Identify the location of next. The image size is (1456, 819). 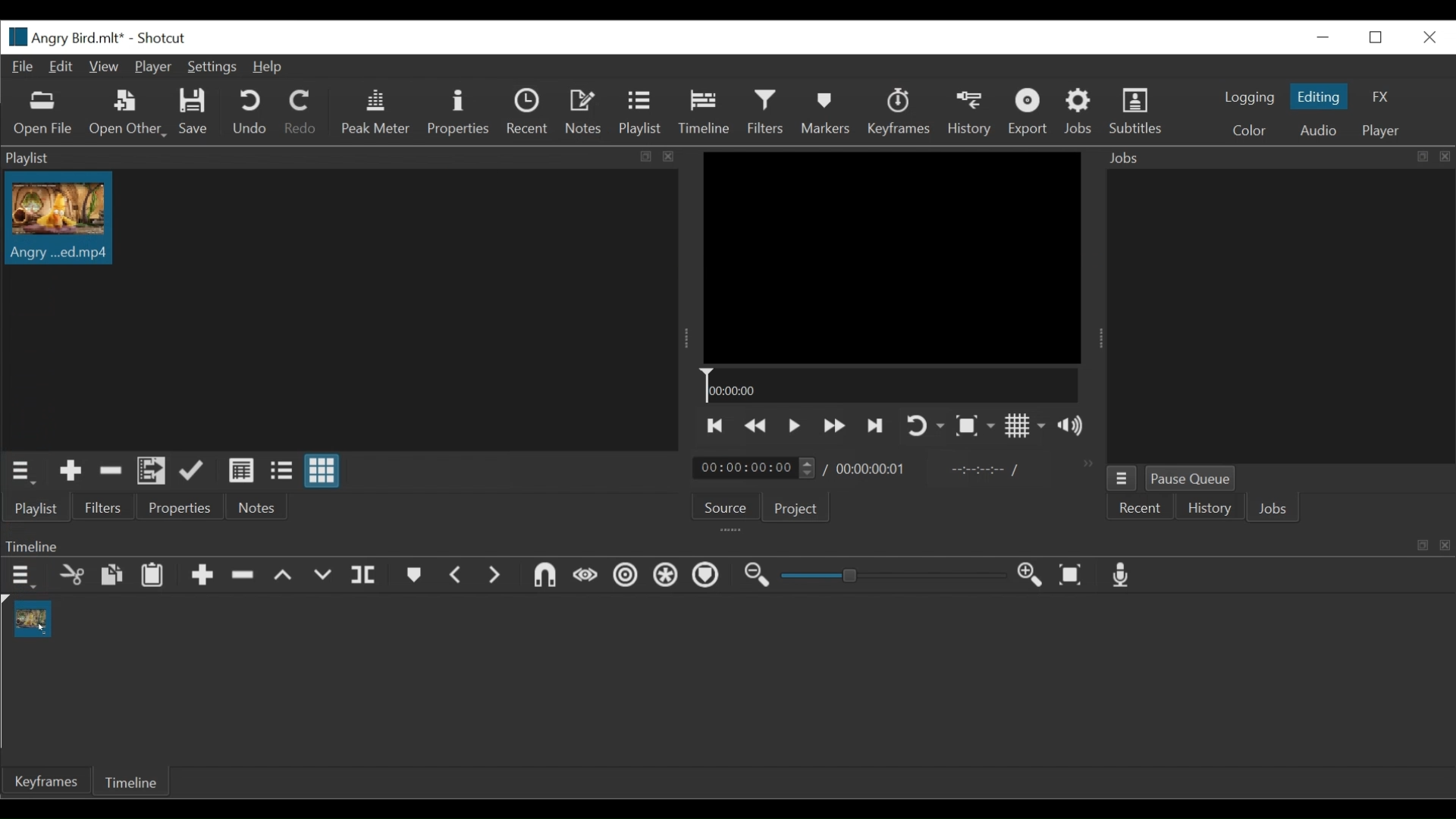
(498, 578).